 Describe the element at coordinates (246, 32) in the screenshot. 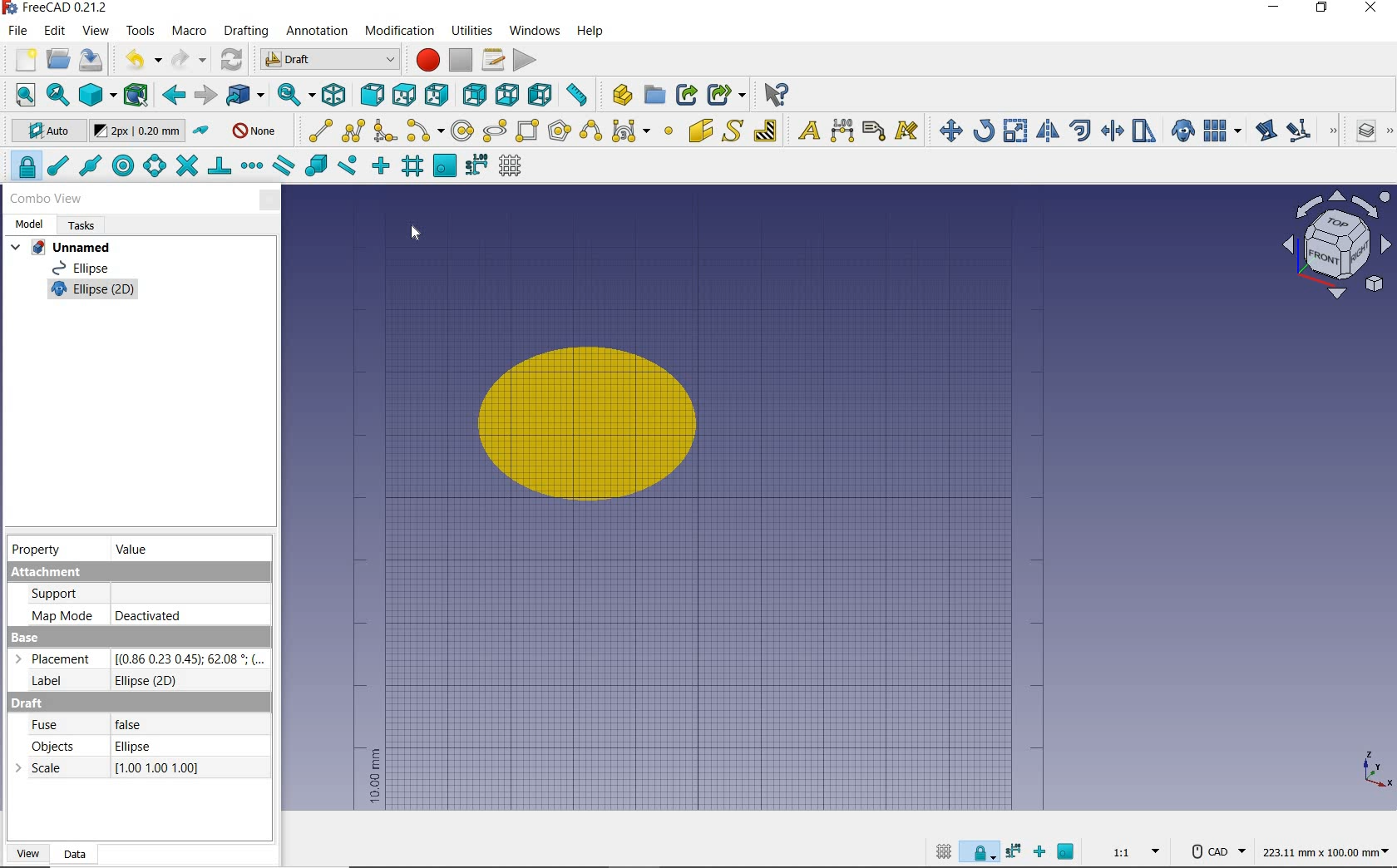

I see `drafting` at that location.